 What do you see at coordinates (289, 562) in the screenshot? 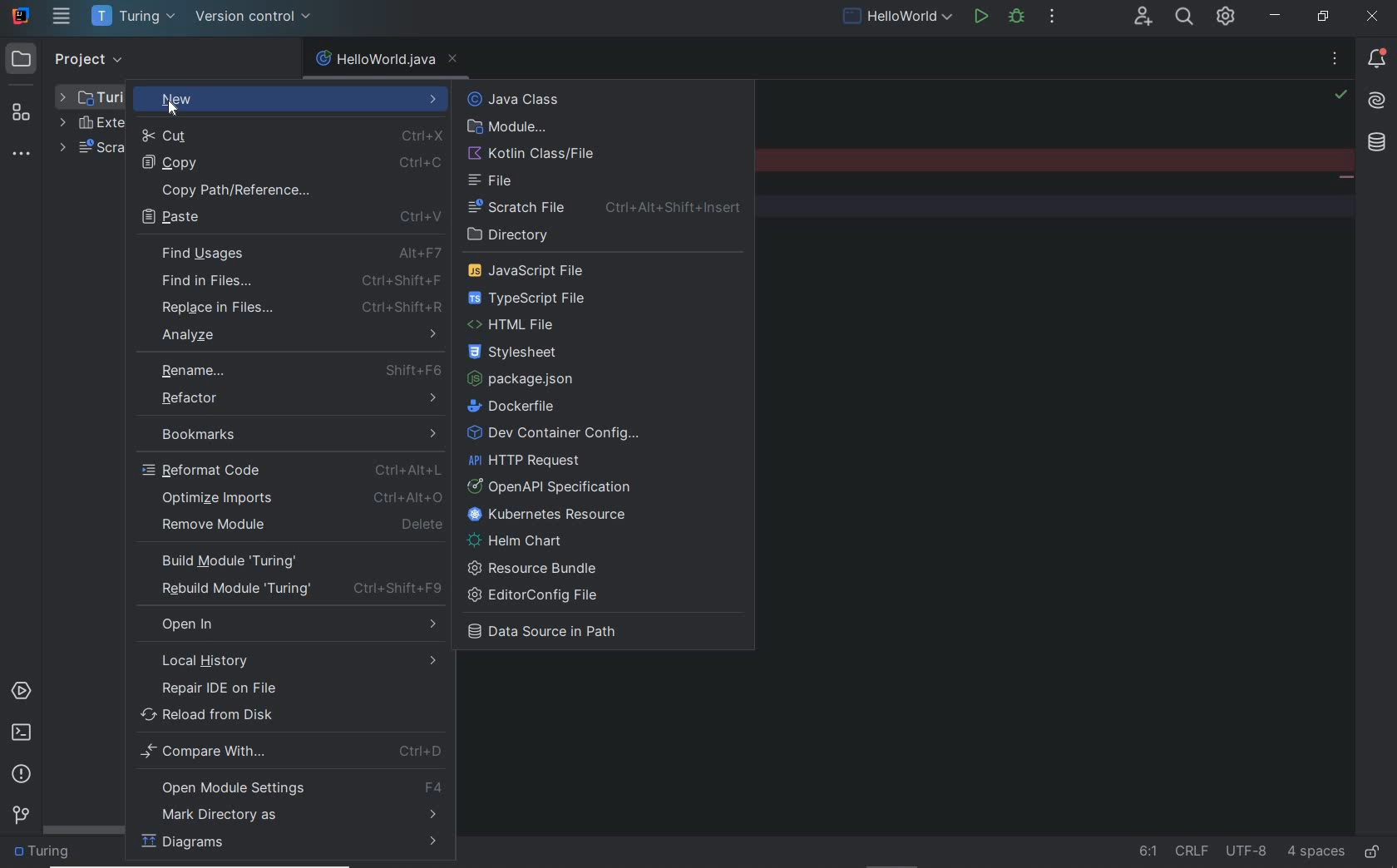
I see `build module` at bounding box center [289, 562].